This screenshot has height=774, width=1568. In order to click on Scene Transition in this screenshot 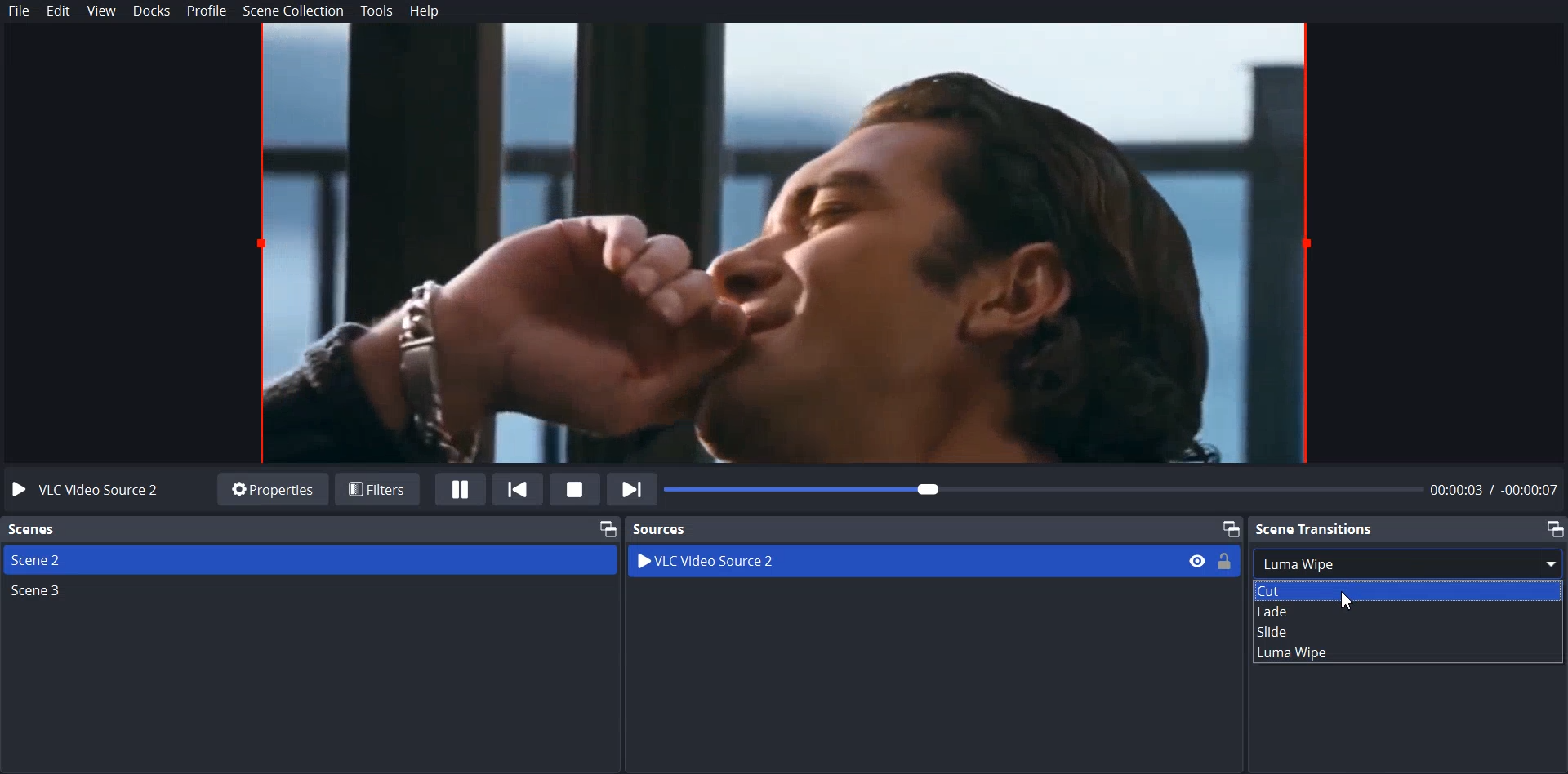, I will do `click(1316, 527)`.